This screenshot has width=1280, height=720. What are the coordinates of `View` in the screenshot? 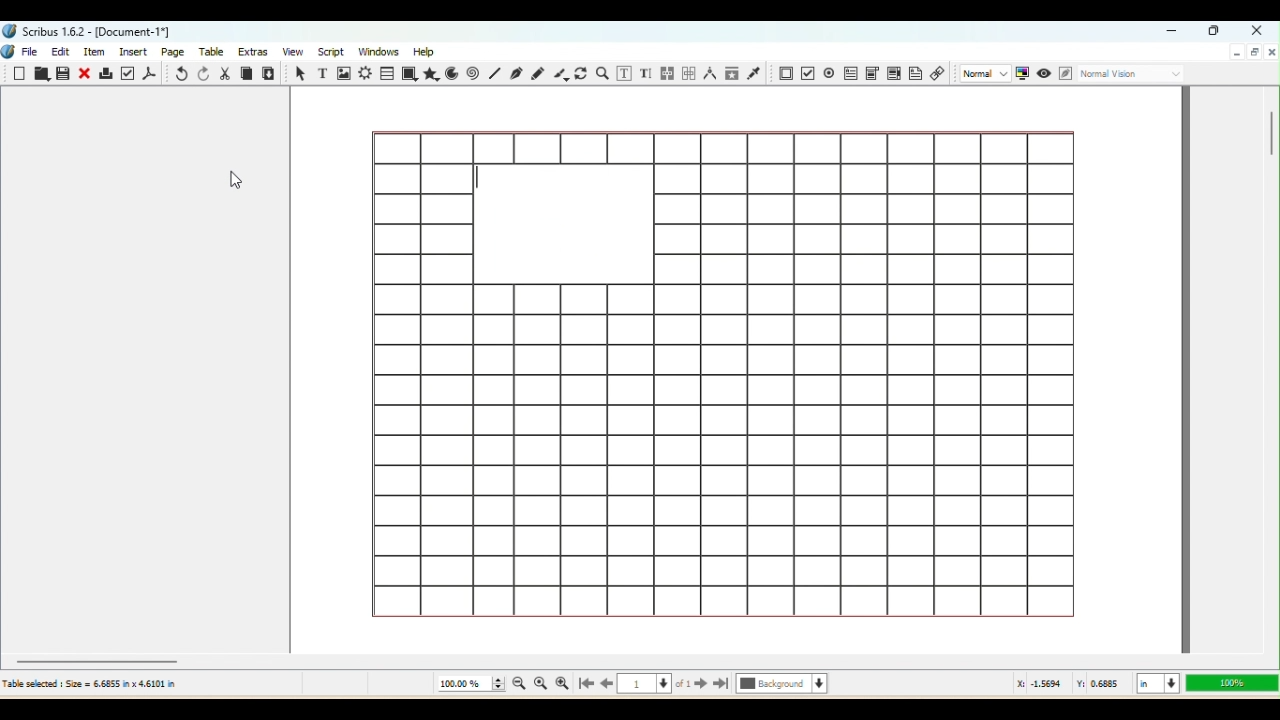 It's located at (290, 52).